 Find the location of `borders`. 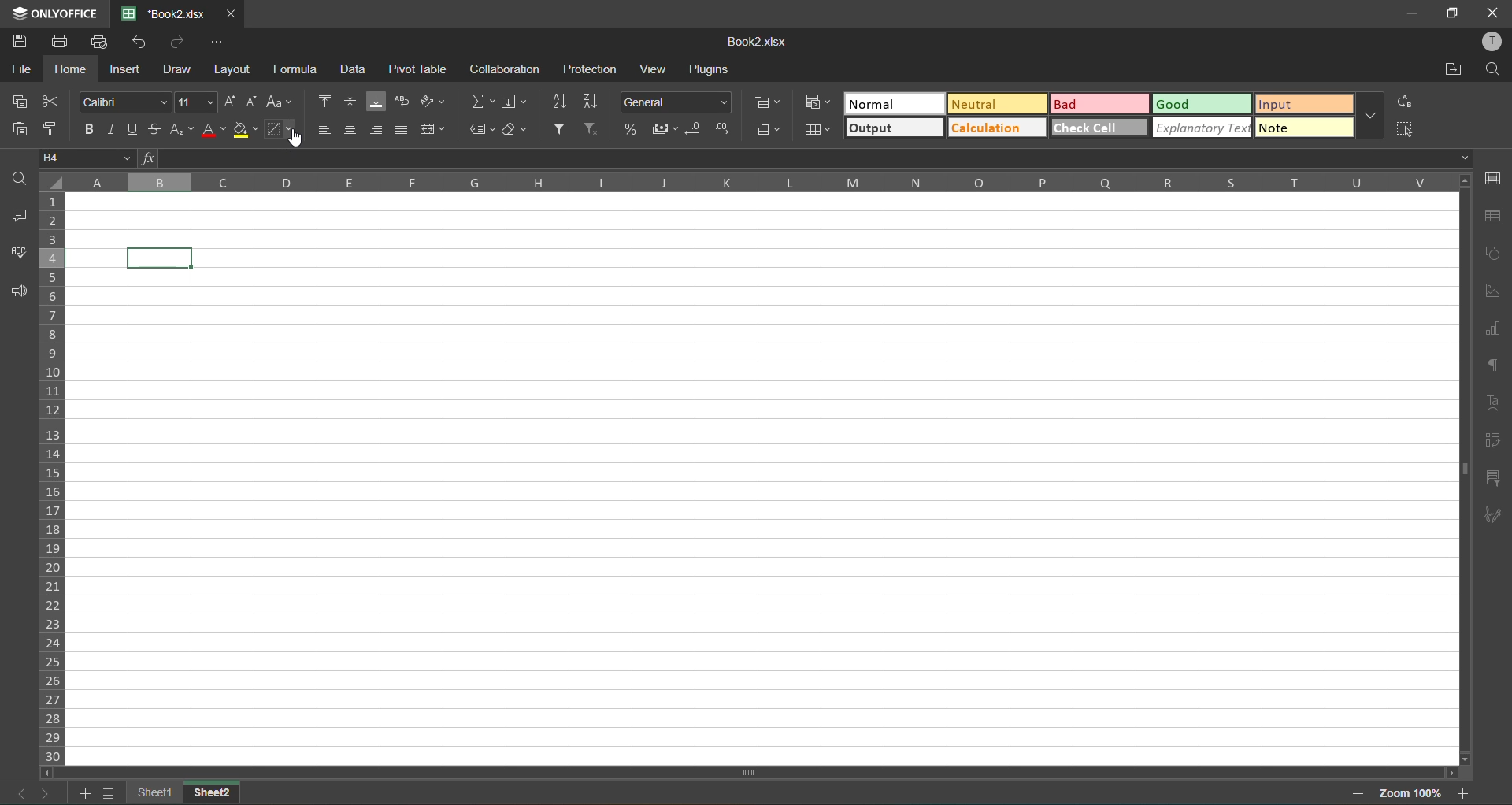

borders is located at coordinates (279, 128).